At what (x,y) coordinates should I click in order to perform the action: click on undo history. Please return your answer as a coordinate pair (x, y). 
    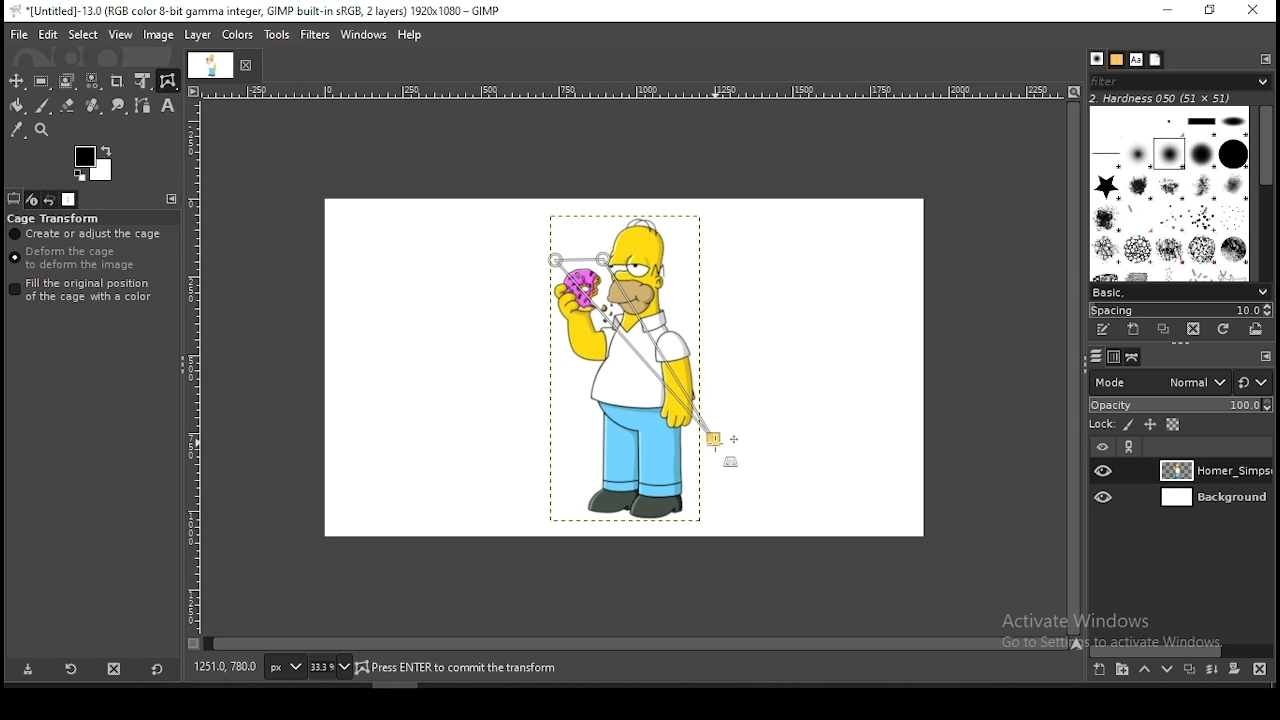
    Looking at the image, I should click on (50, 199).